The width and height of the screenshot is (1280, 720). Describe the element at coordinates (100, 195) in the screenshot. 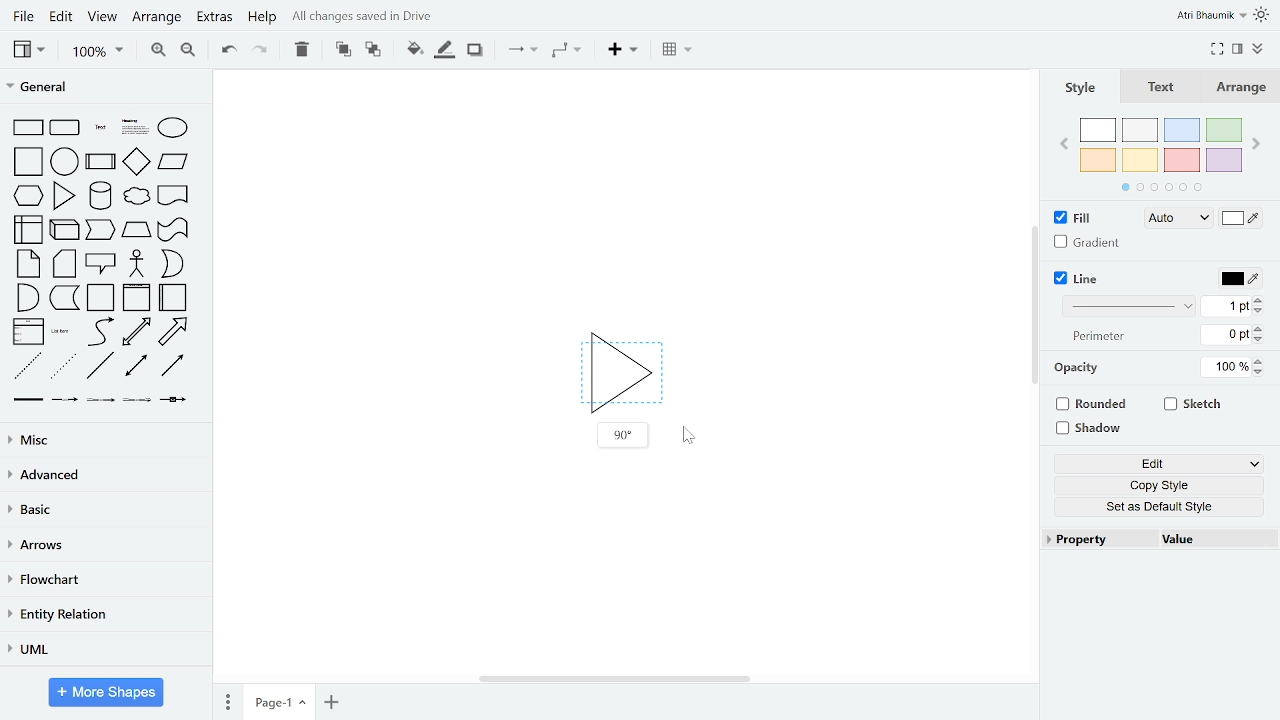

I see `cylinder` at that location.